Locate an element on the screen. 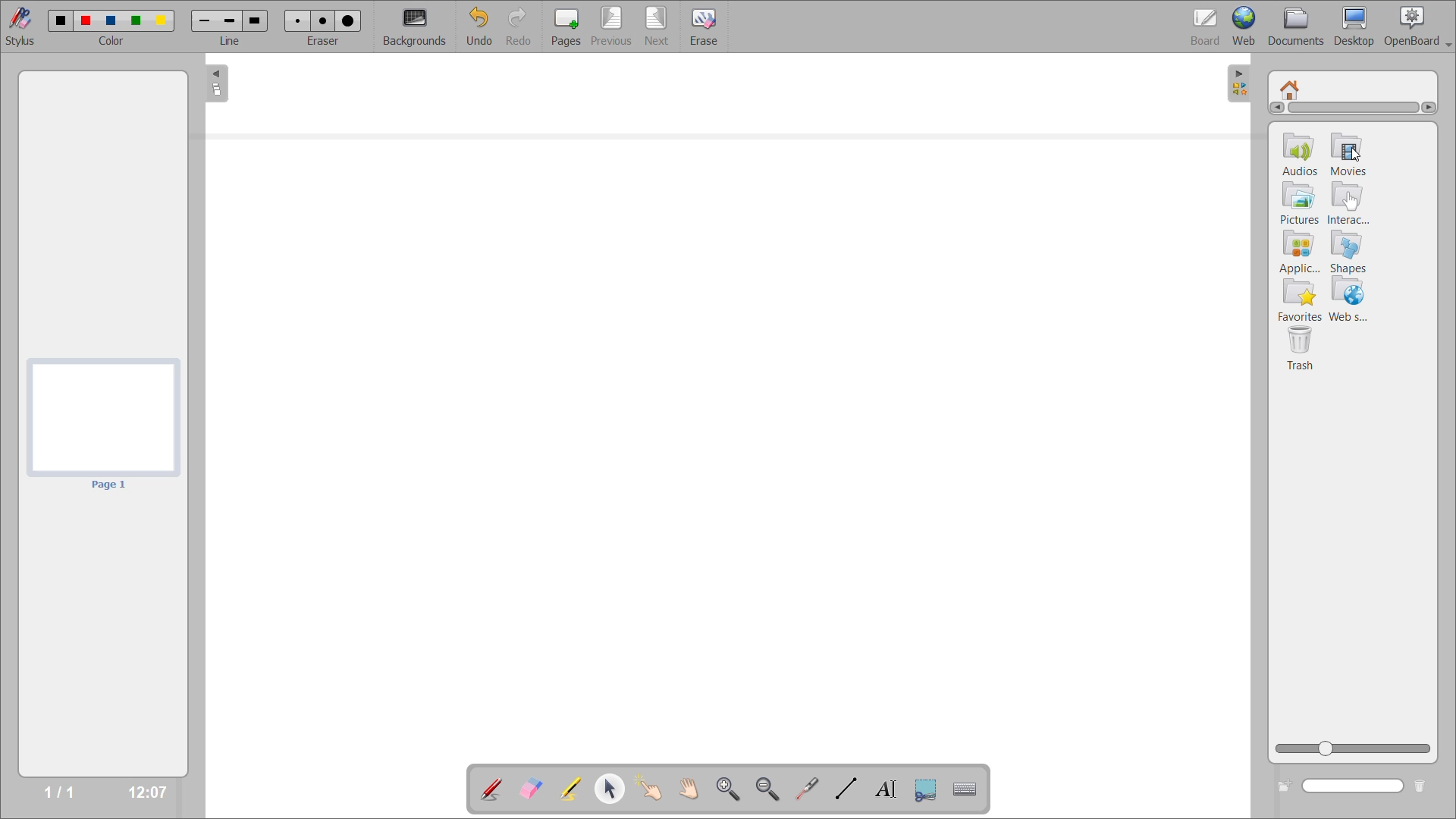 The image size is (1456, 819). color 5 is located at coordinates (163, 20).